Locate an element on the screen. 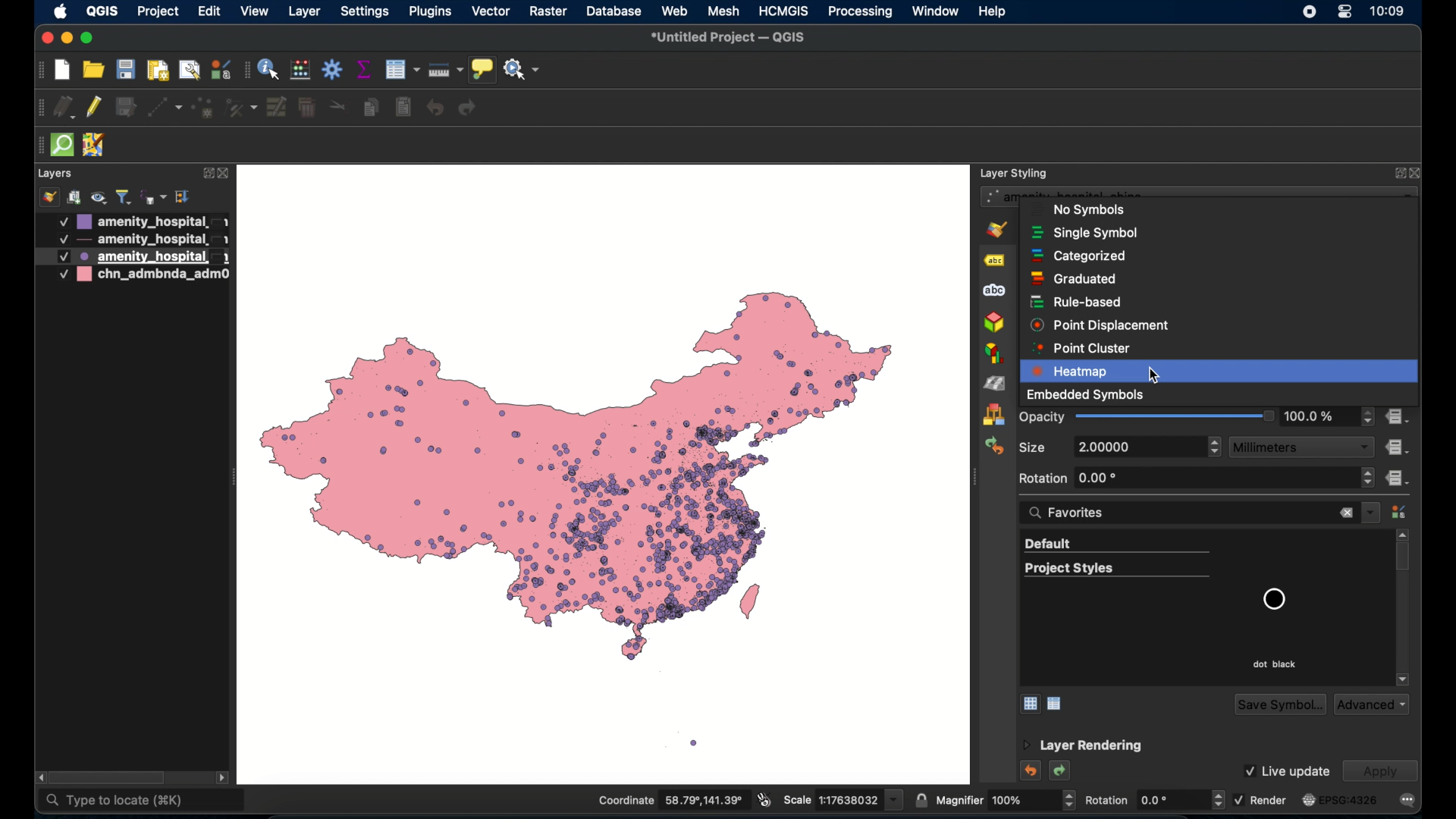  expand all is located at coordinates (184, 197).